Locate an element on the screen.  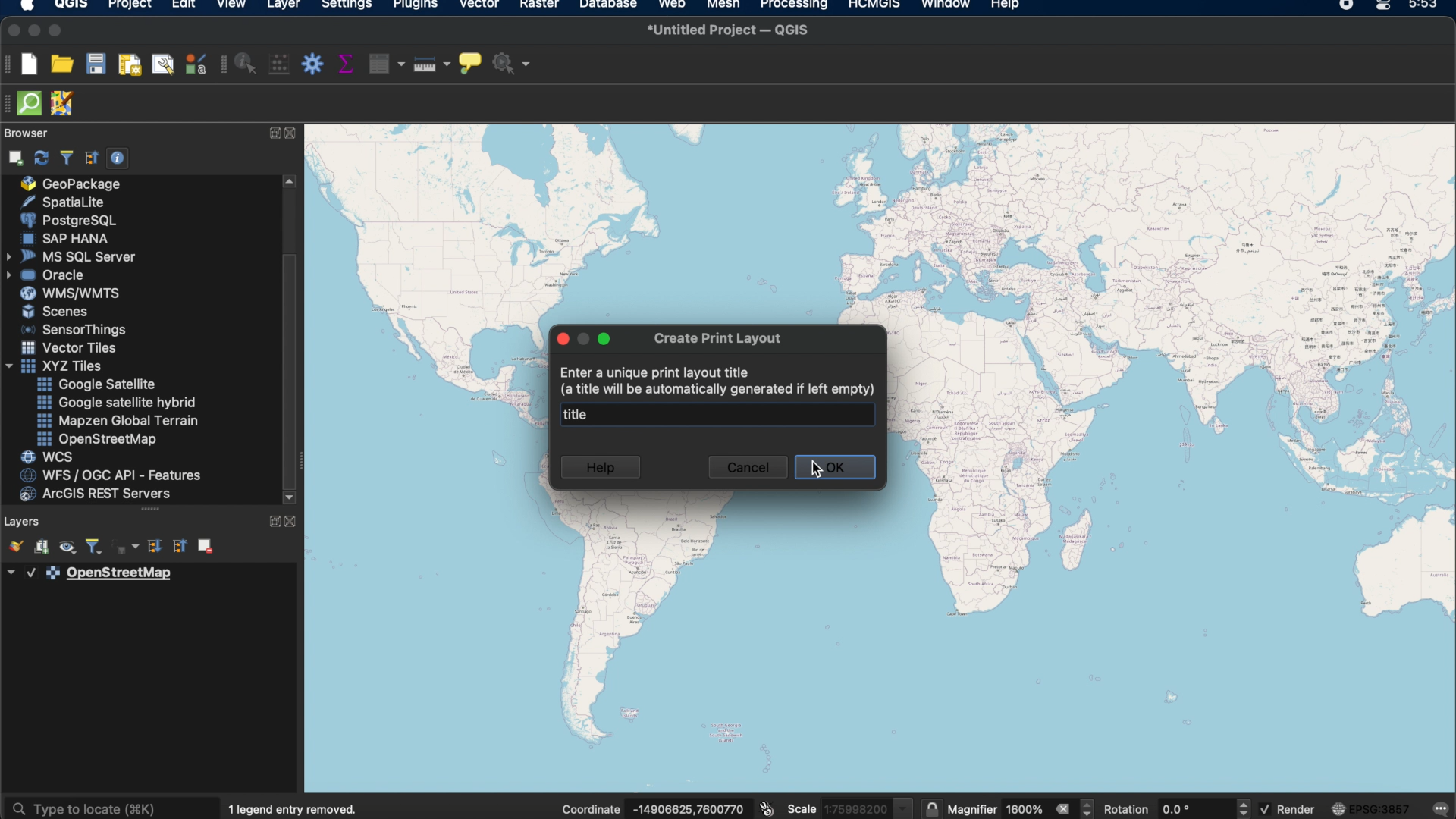
save project is located at coordinates (95, 63).